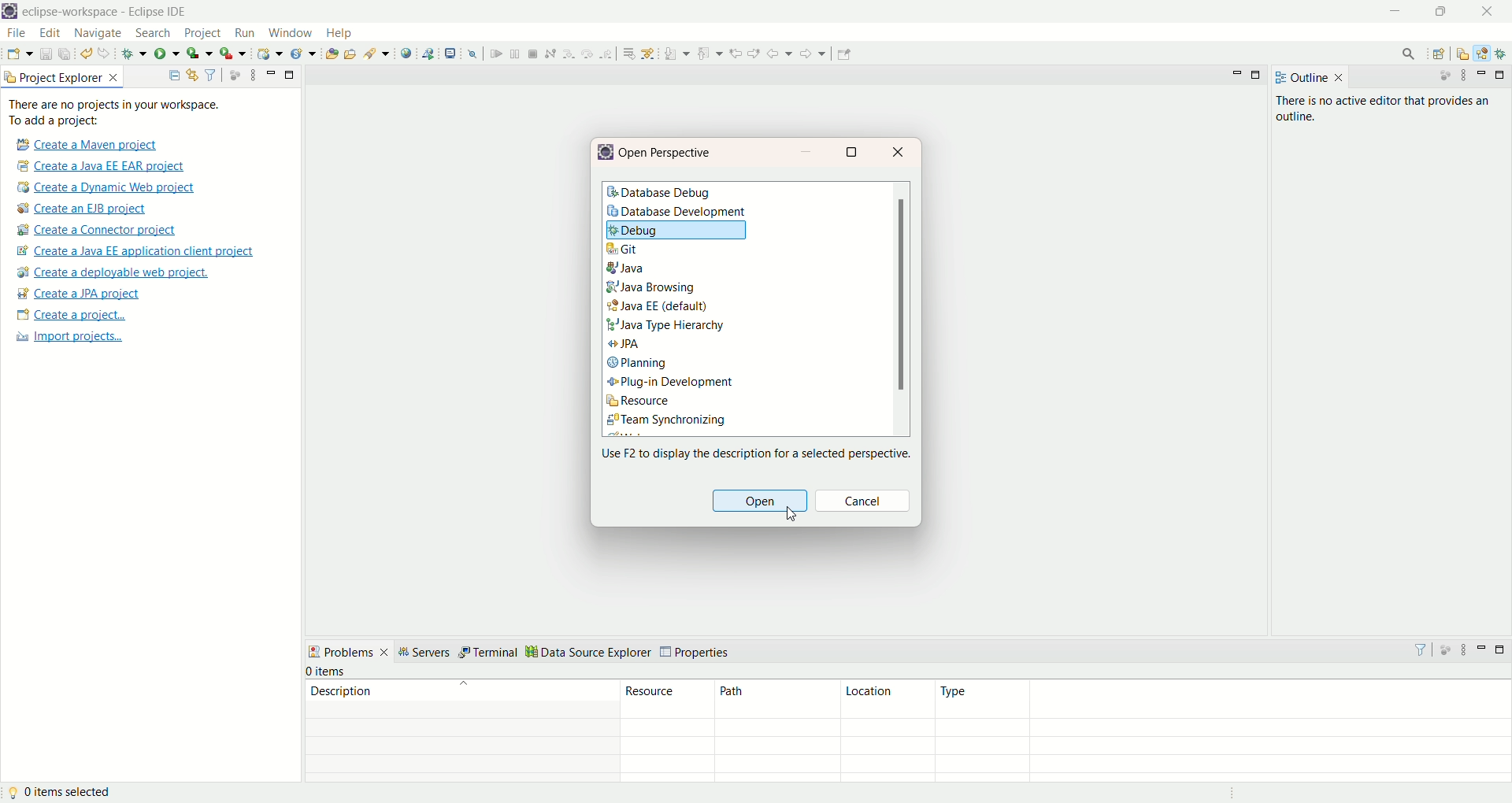 The image size is (1512, 803). I want to click on open type, so click(331, 55).